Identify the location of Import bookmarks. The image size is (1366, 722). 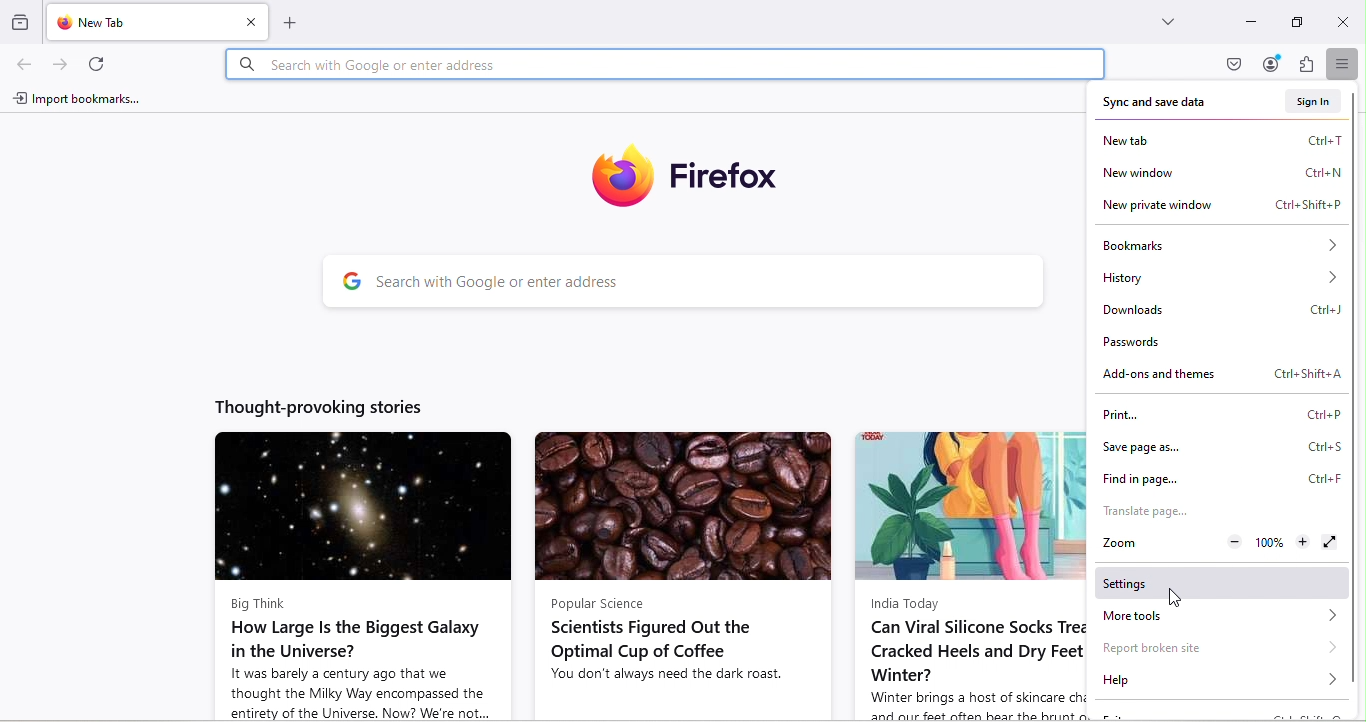
(76, 99).